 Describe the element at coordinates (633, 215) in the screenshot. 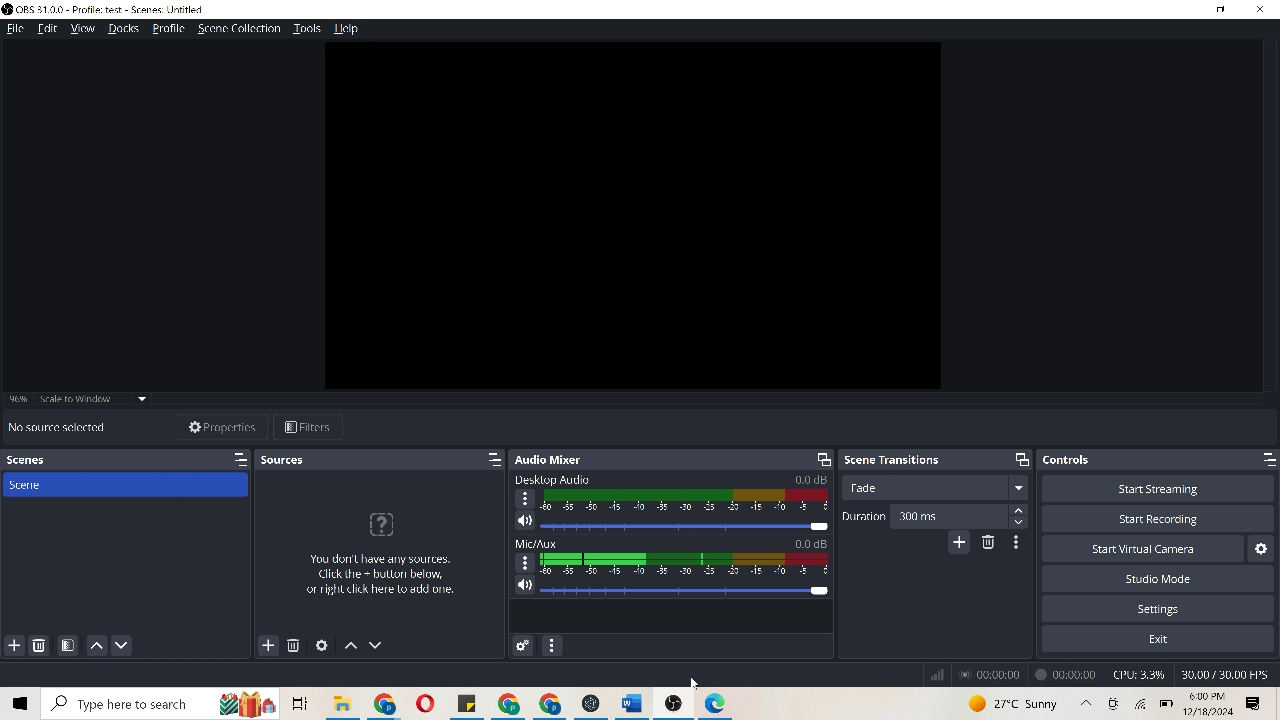

I see `video clip` at that location.